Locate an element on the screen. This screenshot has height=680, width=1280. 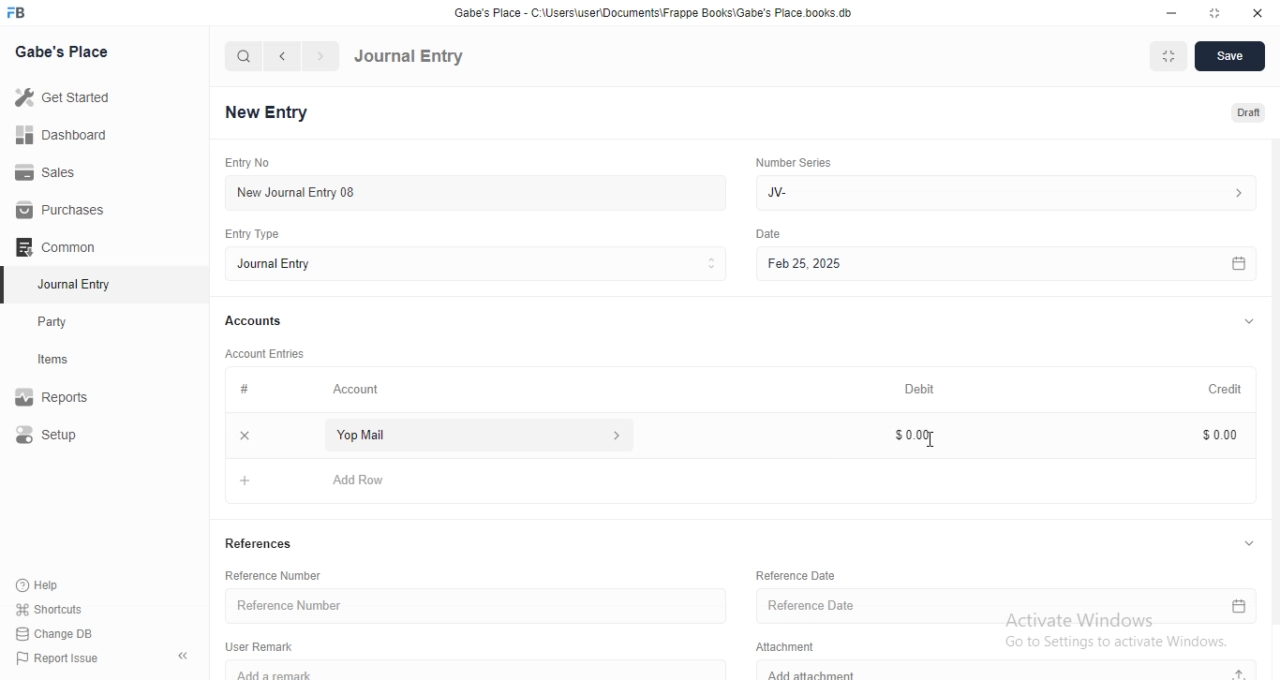
Account is located at coordinates (358, 391).